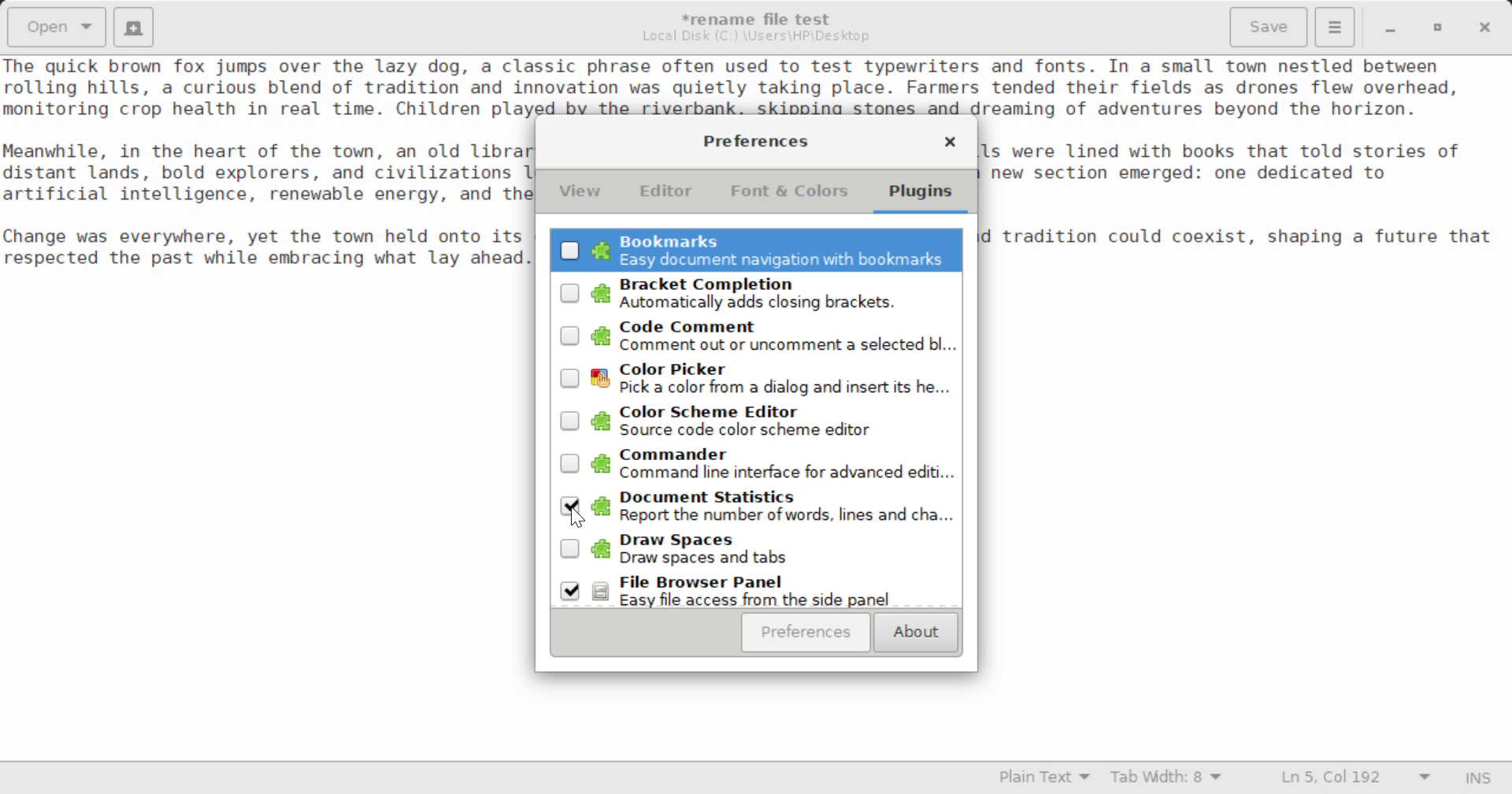 The height and width of the screenshot is (794, 1512). Describe the element at coordinates (57, 25) in the screenshot. I see `Open Document` at that location.